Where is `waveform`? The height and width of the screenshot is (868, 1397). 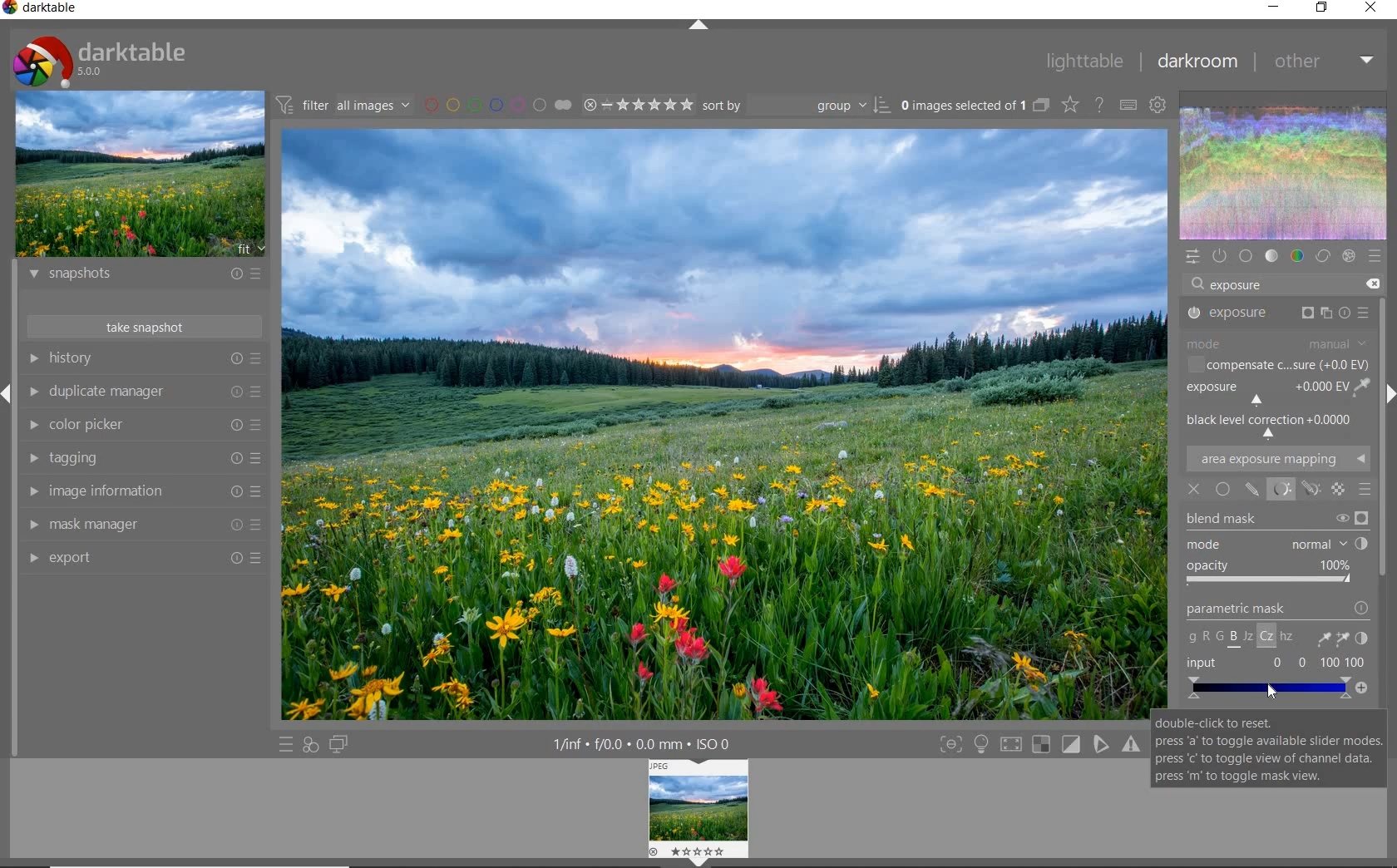 waveform is located at coordinates (1284, 172).